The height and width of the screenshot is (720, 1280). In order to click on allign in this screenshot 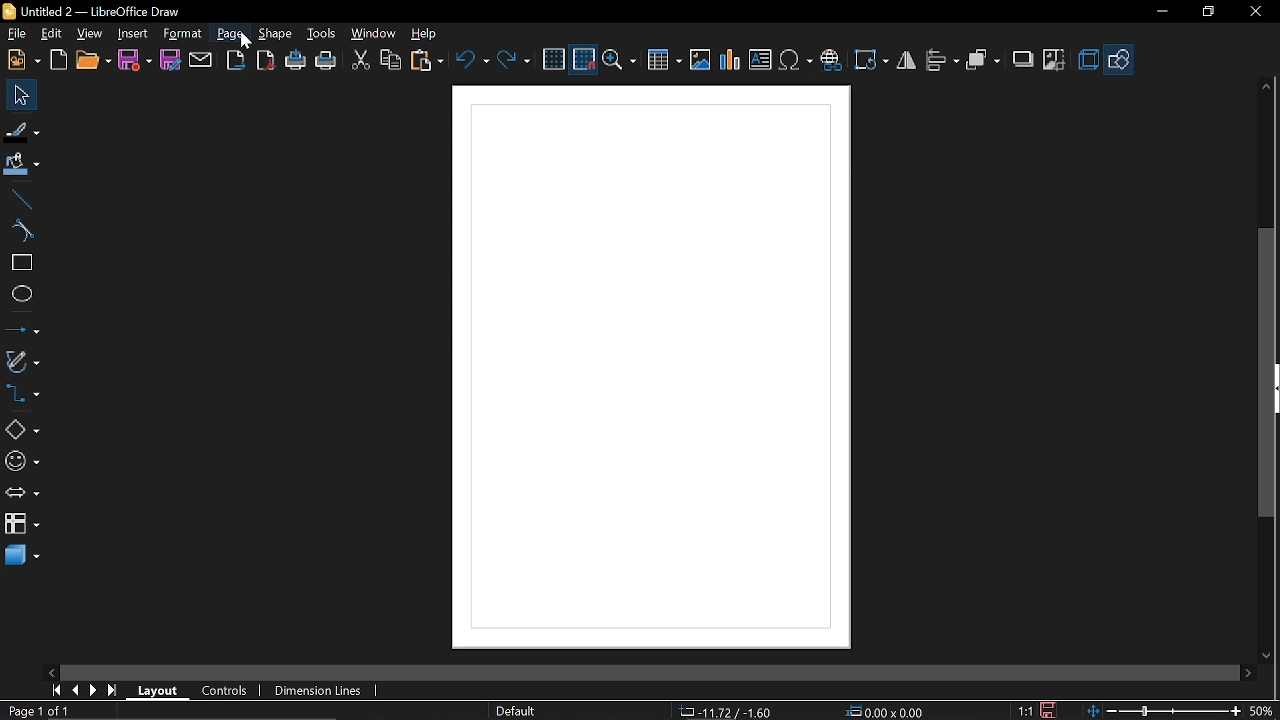, I will do `click(942, 62)`.